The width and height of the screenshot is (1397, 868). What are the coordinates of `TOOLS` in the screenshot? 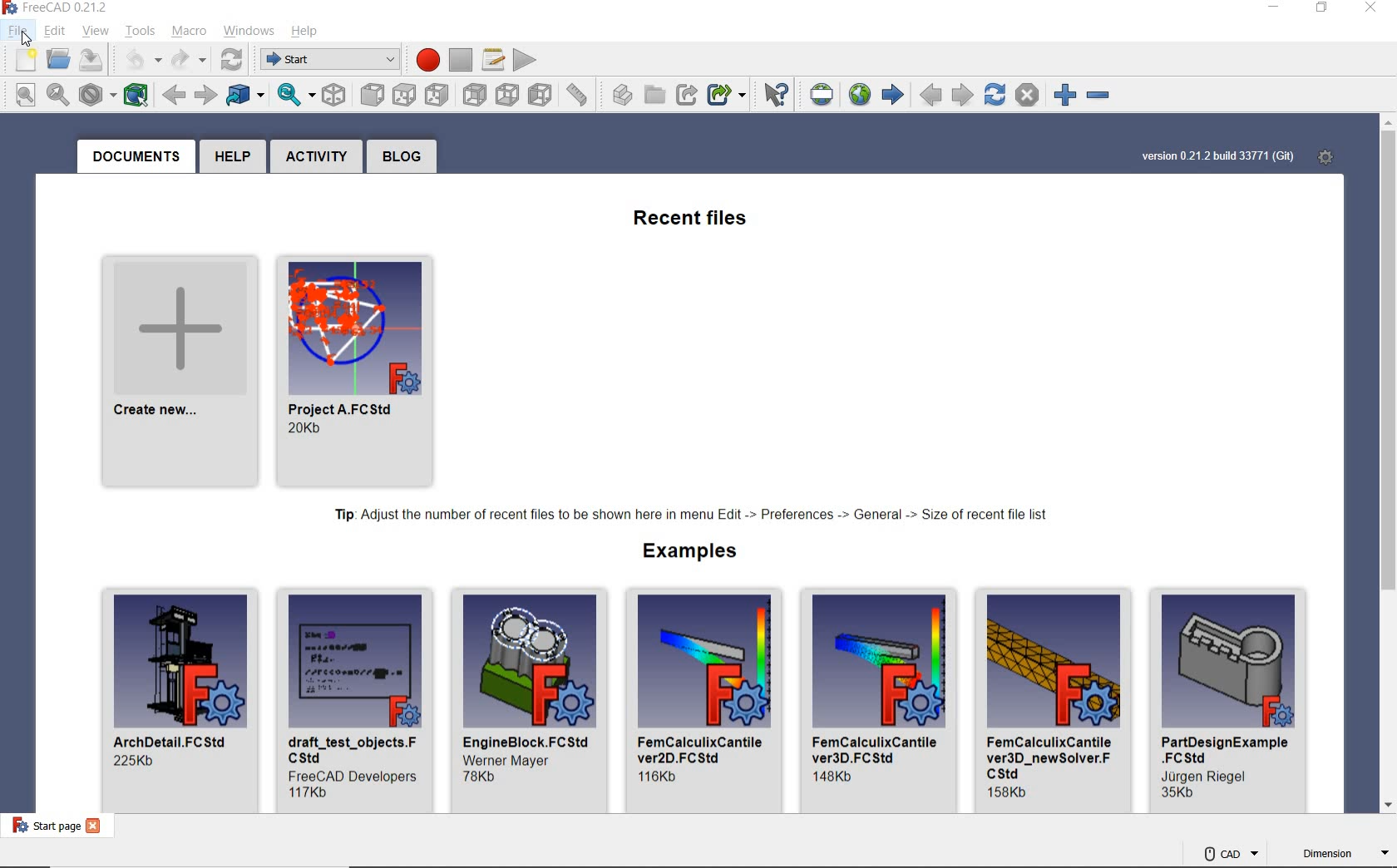 It's located at (142, 32).